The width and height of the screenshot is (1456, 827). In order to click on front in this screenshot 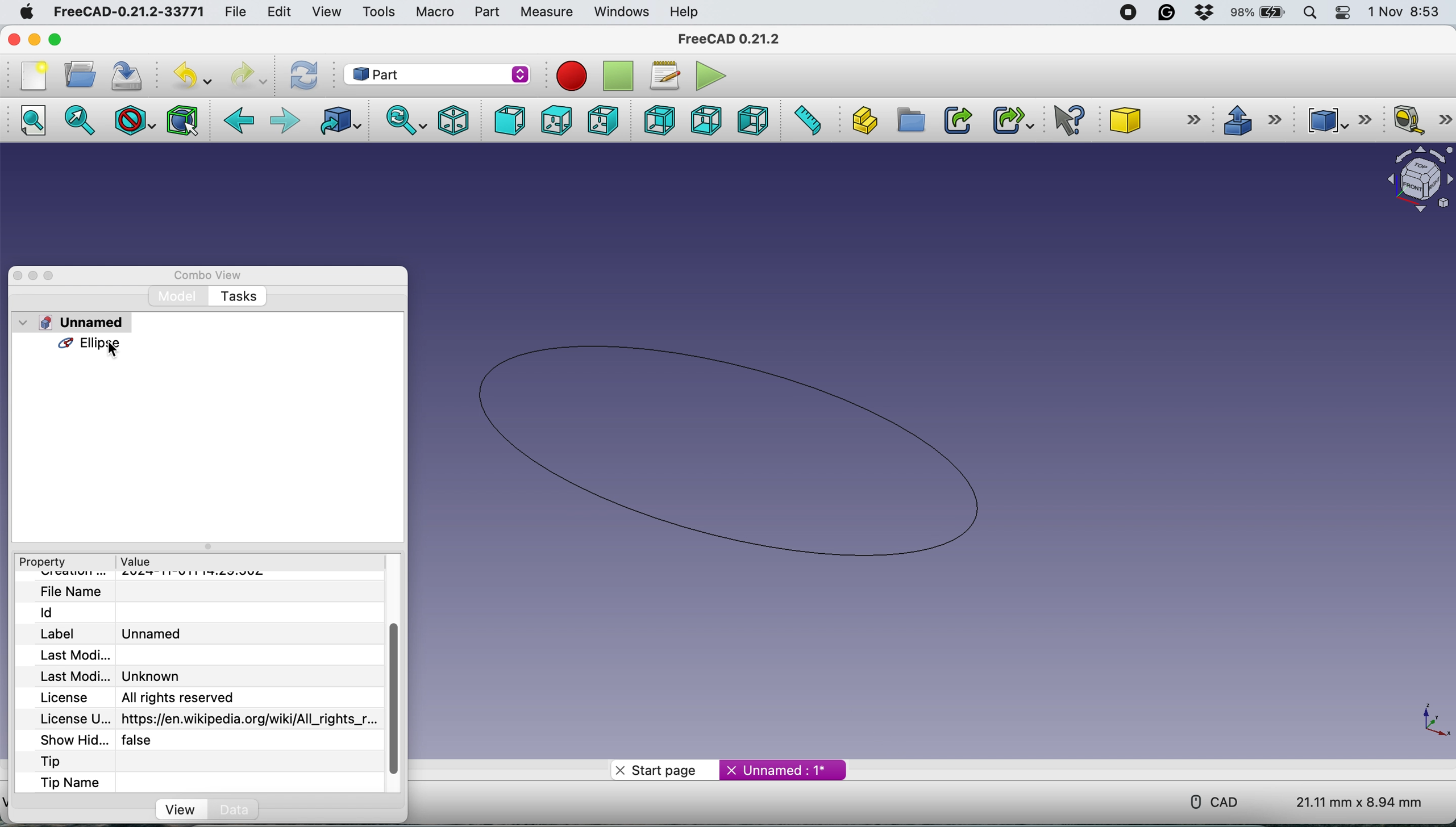, I will do `click(511, 122)`.